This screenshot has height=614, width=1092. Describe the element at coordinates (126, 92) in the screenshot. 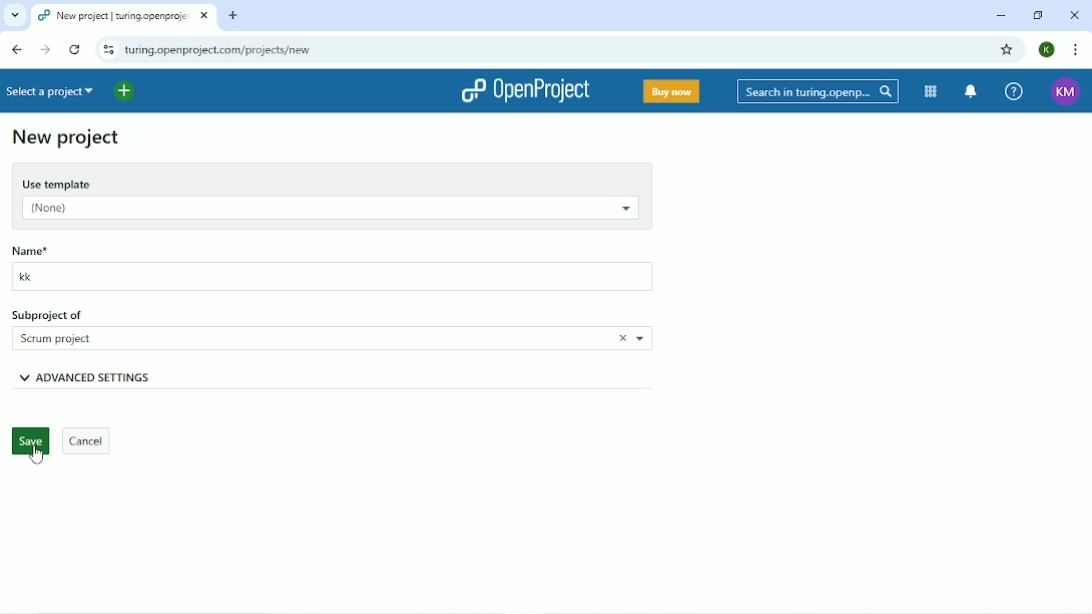

I see `Open quick add menu` at that location.